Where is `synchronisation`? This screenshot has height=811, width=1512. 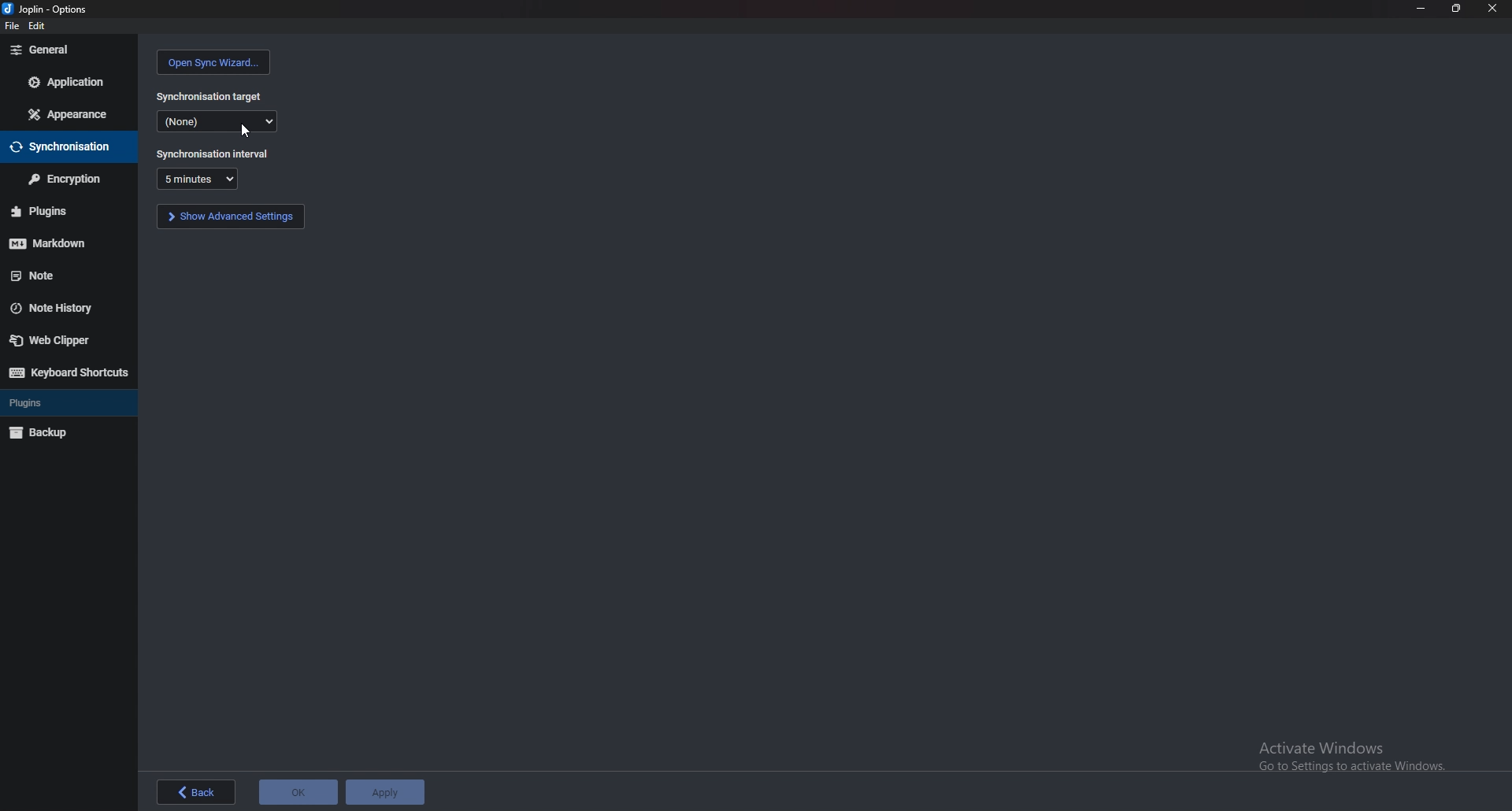 synchronisation is located at coordinates (62, 146).